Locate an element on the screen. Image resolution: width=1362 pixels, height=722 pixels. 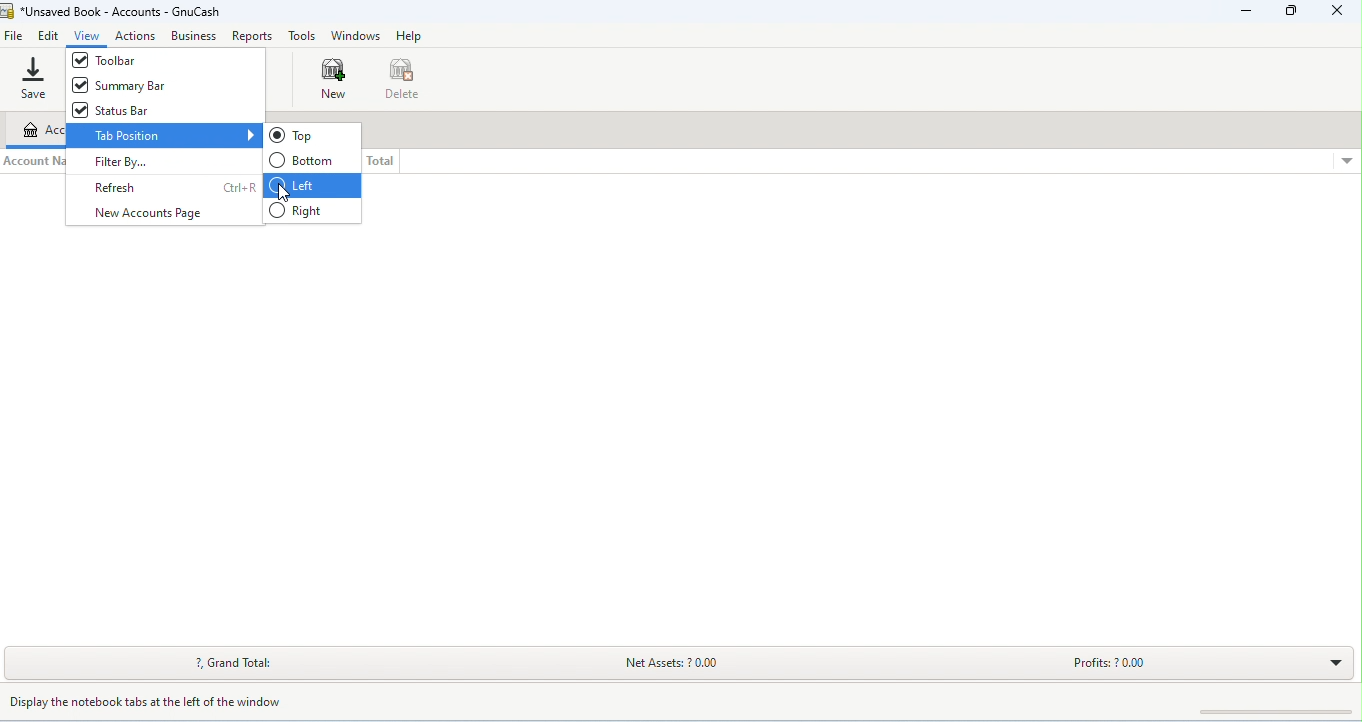
filter by is located at coordinates (123, 164).